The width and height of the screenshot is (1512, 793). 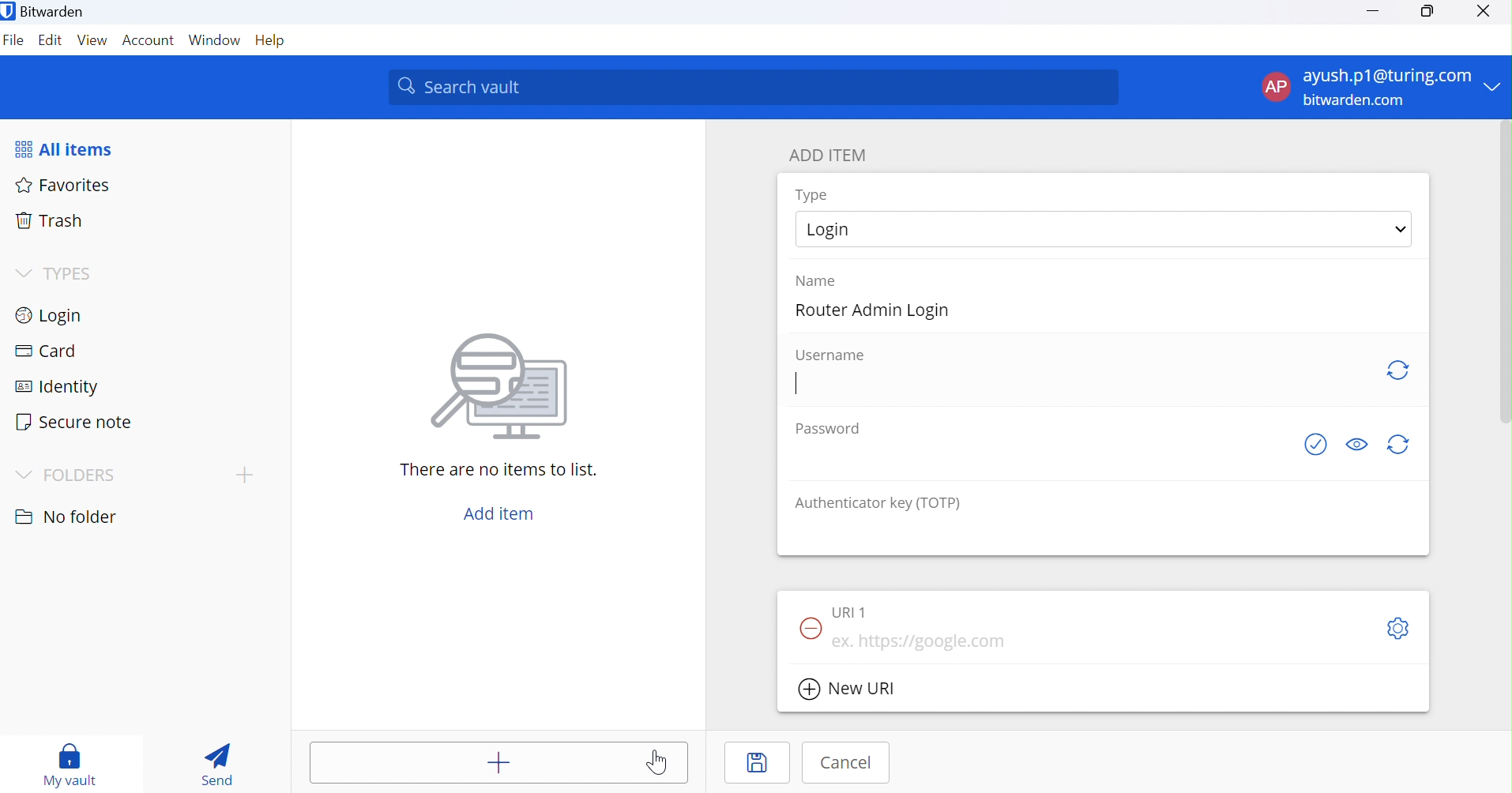 What do you see at coordinates (65, 184) in the screenshot?
I see `Favorites` at bounding box center [65, 184].